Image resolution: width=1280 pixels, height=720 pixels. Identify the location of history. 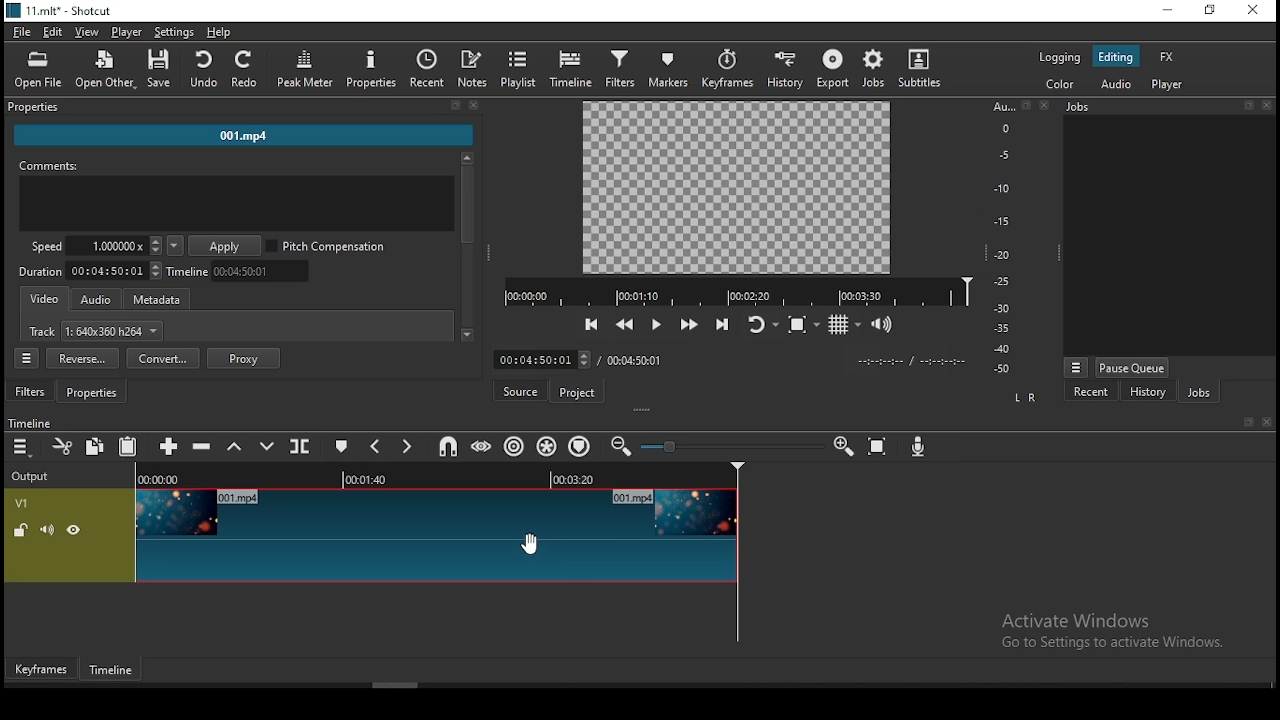
(1147, 392).